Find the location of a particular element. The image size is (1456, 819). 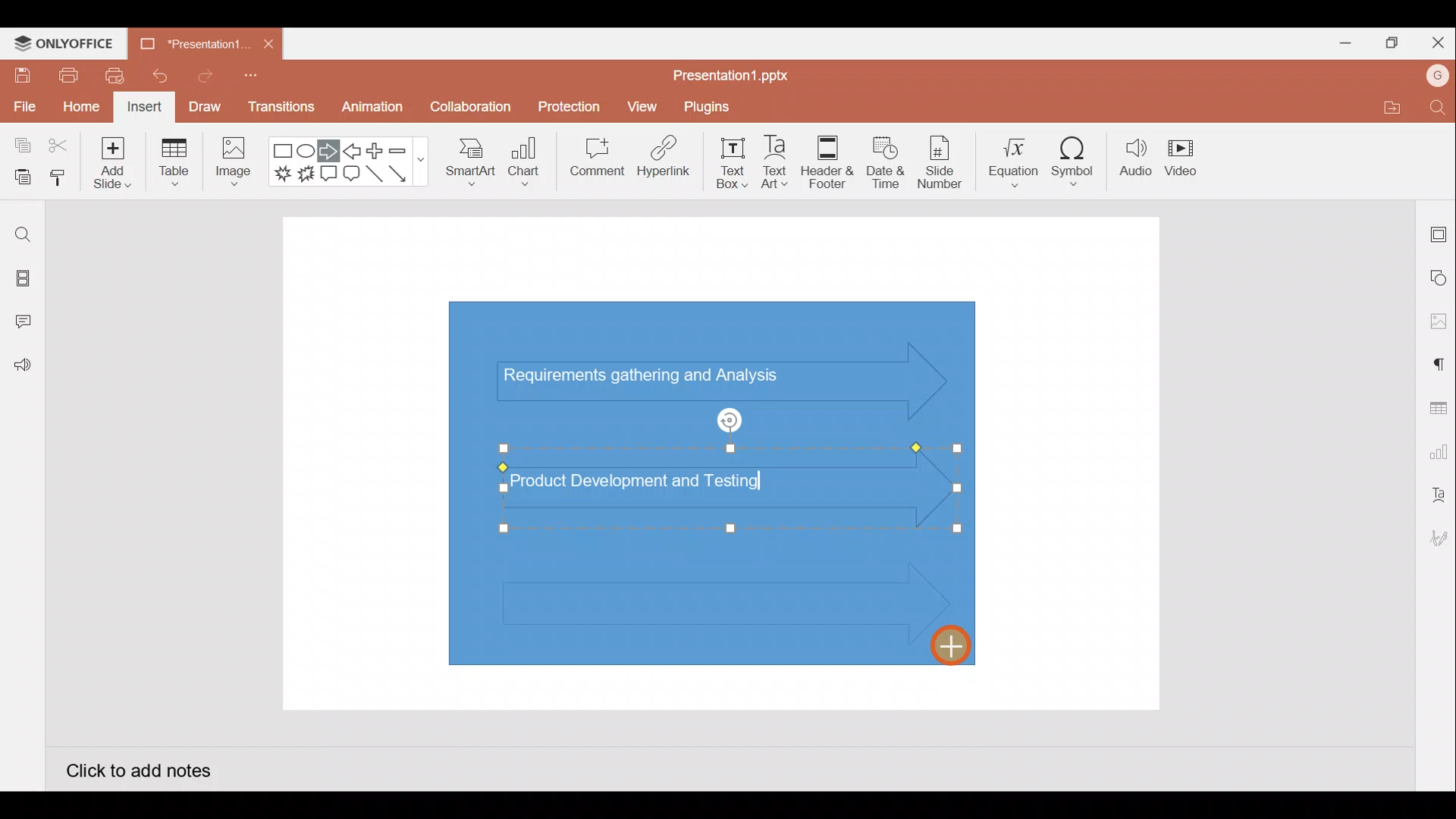

Save is located at coordinates (20, 74).